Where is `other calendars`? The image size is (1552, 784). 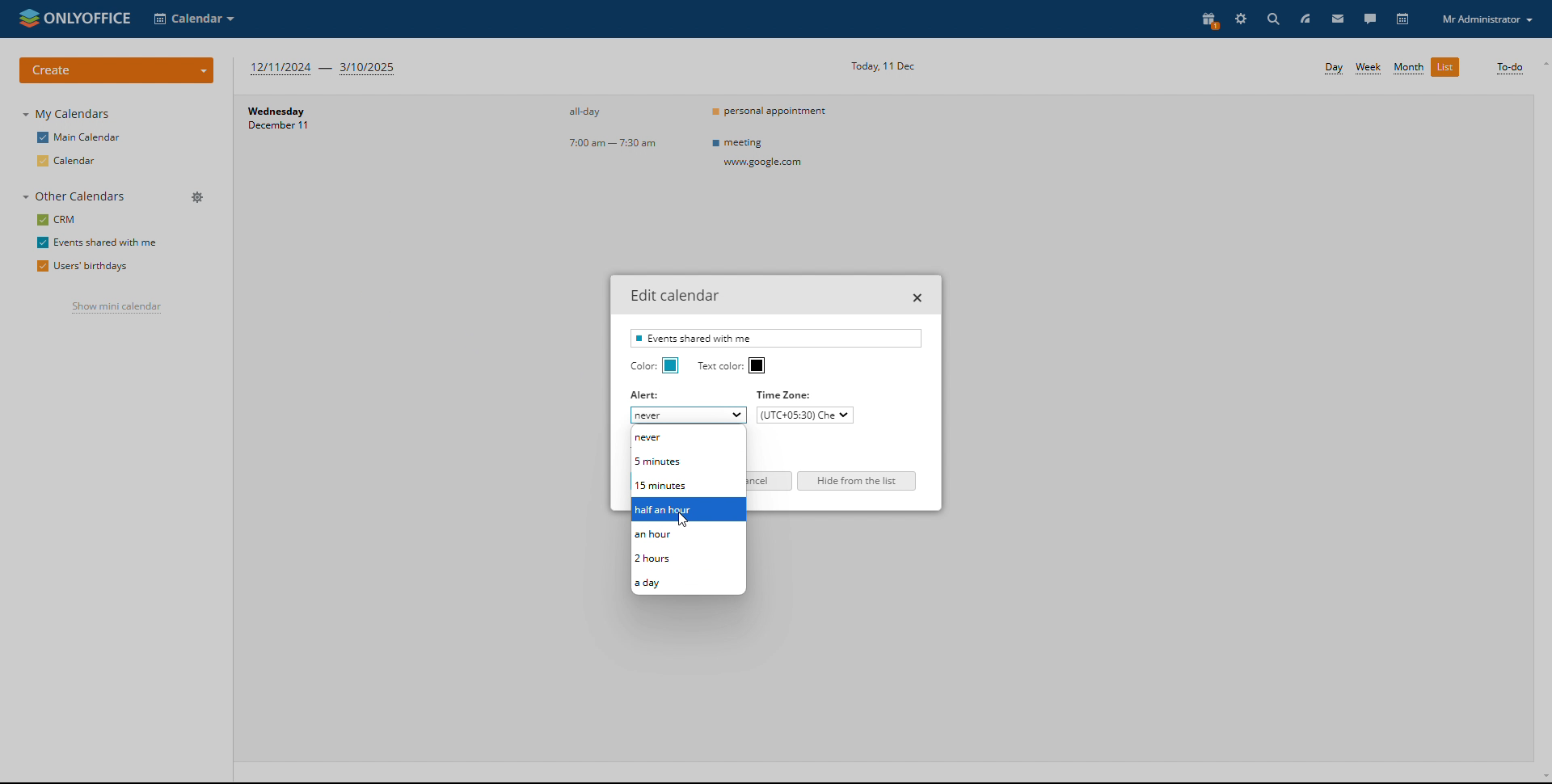 other calendars is located at coordinates (75, 196).